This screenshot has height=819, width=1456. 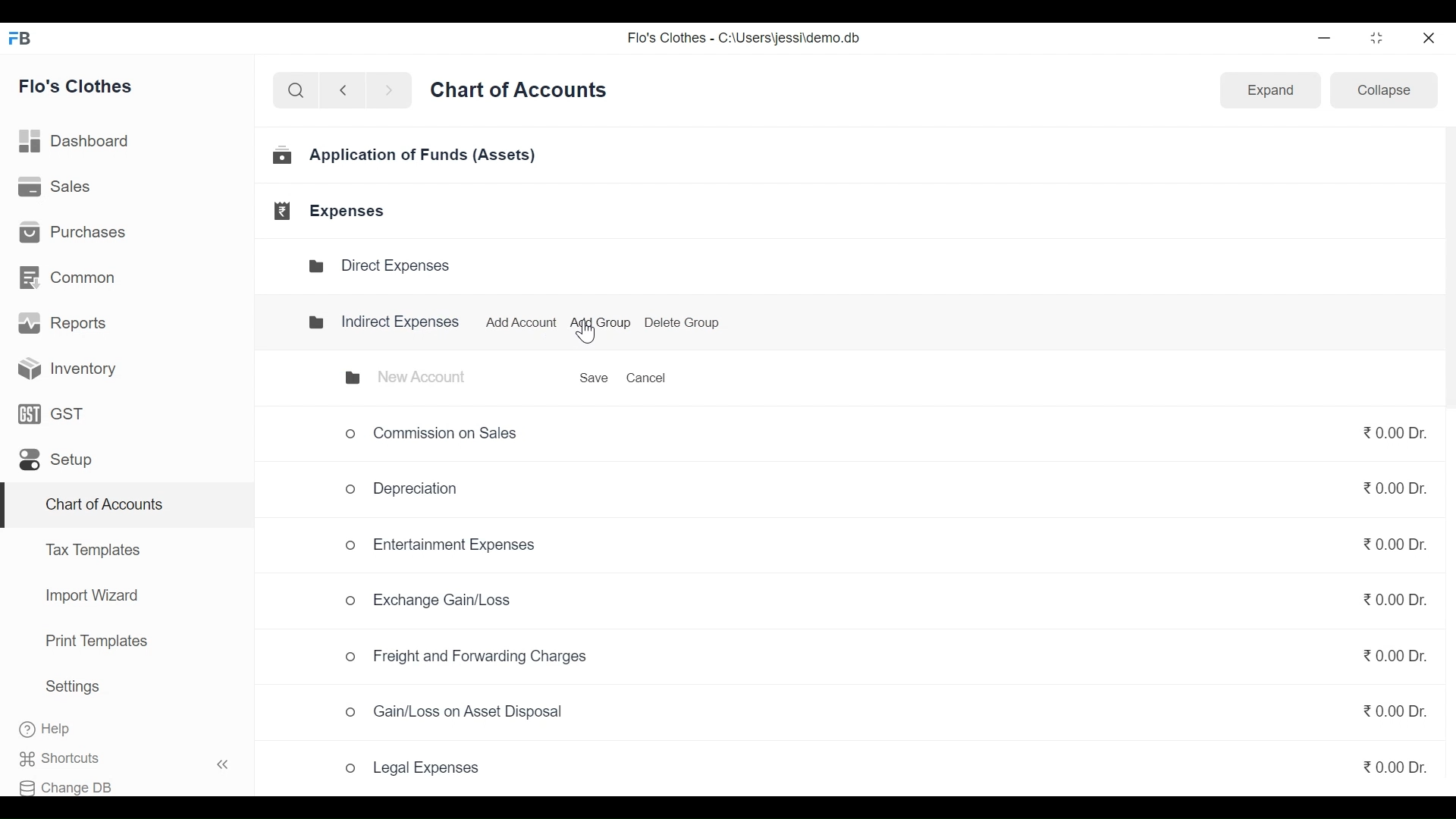 What do you see at coordinates (81, 141) in the screenshot?
I see `Dashboard` at bounding box center [81, 141].